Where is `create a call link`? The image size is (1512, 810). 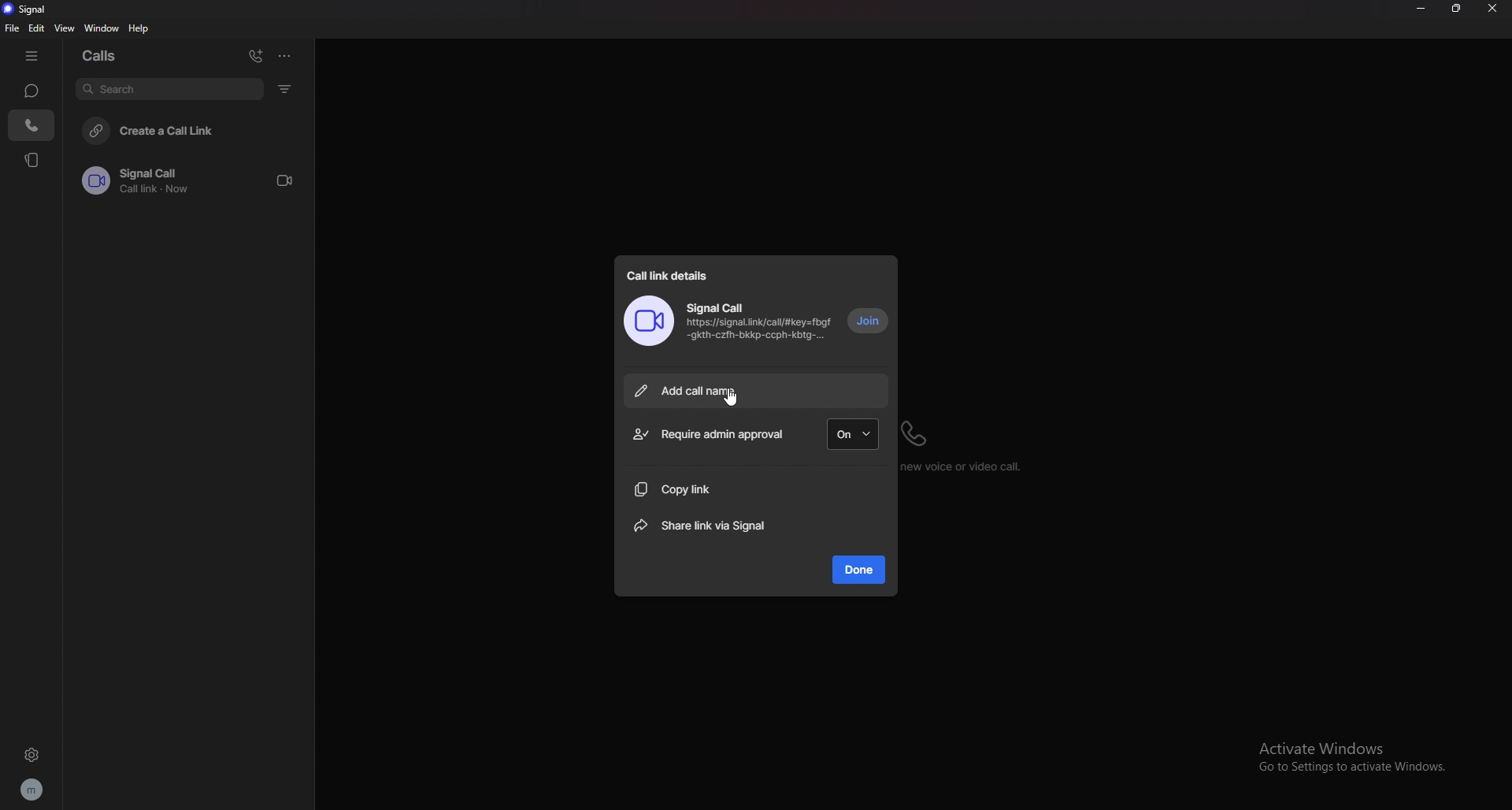 create a call link is located at coordinates (194, 129).